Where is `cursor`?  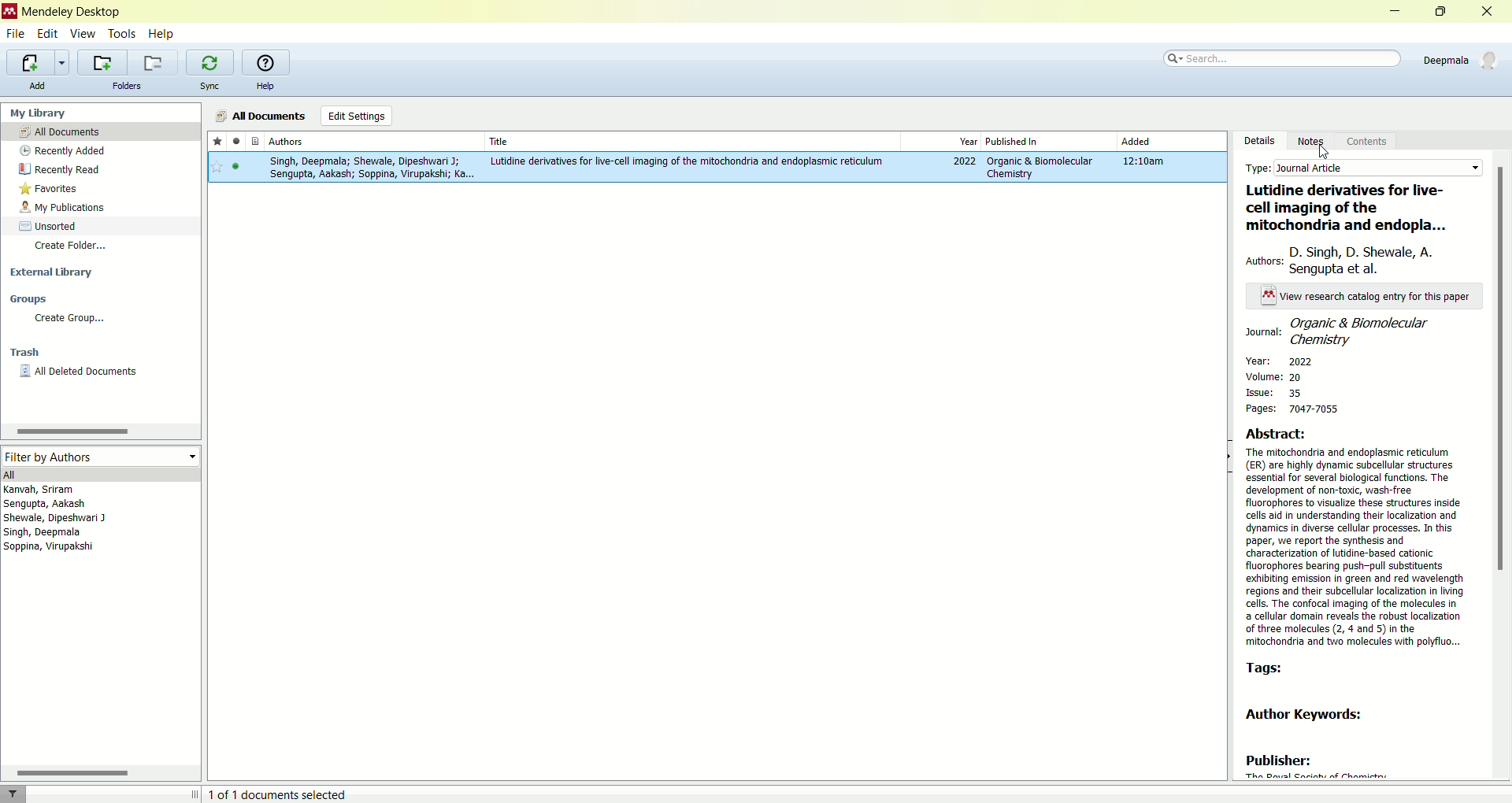 cursor is located at coordinates (1325, 150).